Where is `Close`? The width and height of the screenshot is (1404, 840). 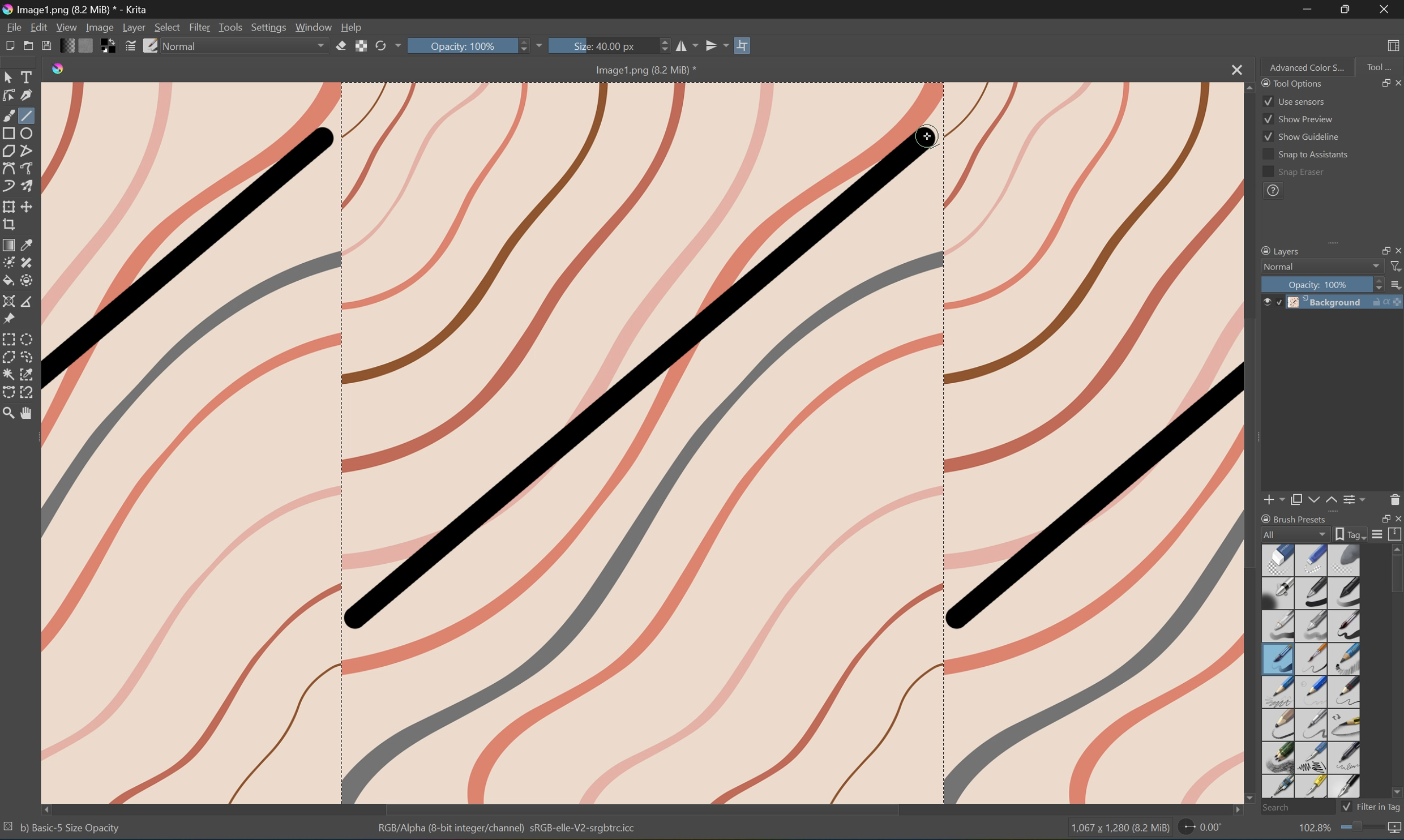
Close is located at coordinates (1396, 250).